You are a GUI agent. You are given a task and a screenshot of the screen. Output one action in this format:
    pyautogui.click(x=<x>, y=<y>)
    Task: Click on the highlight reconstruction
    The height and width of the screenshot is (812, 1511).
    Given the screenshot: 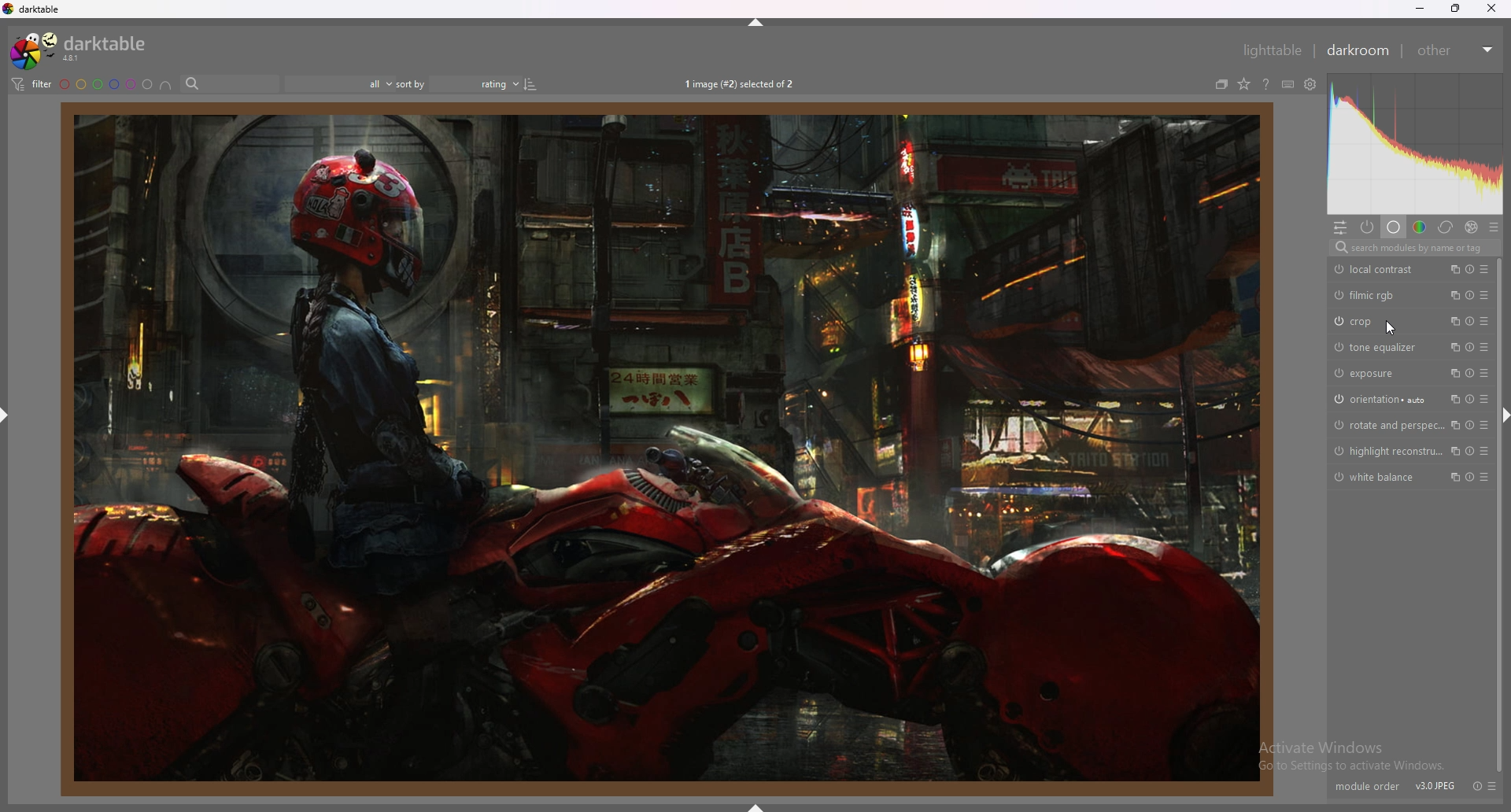 What is the action you would take?
    pyautogui.click(x=1386, y=451)
    